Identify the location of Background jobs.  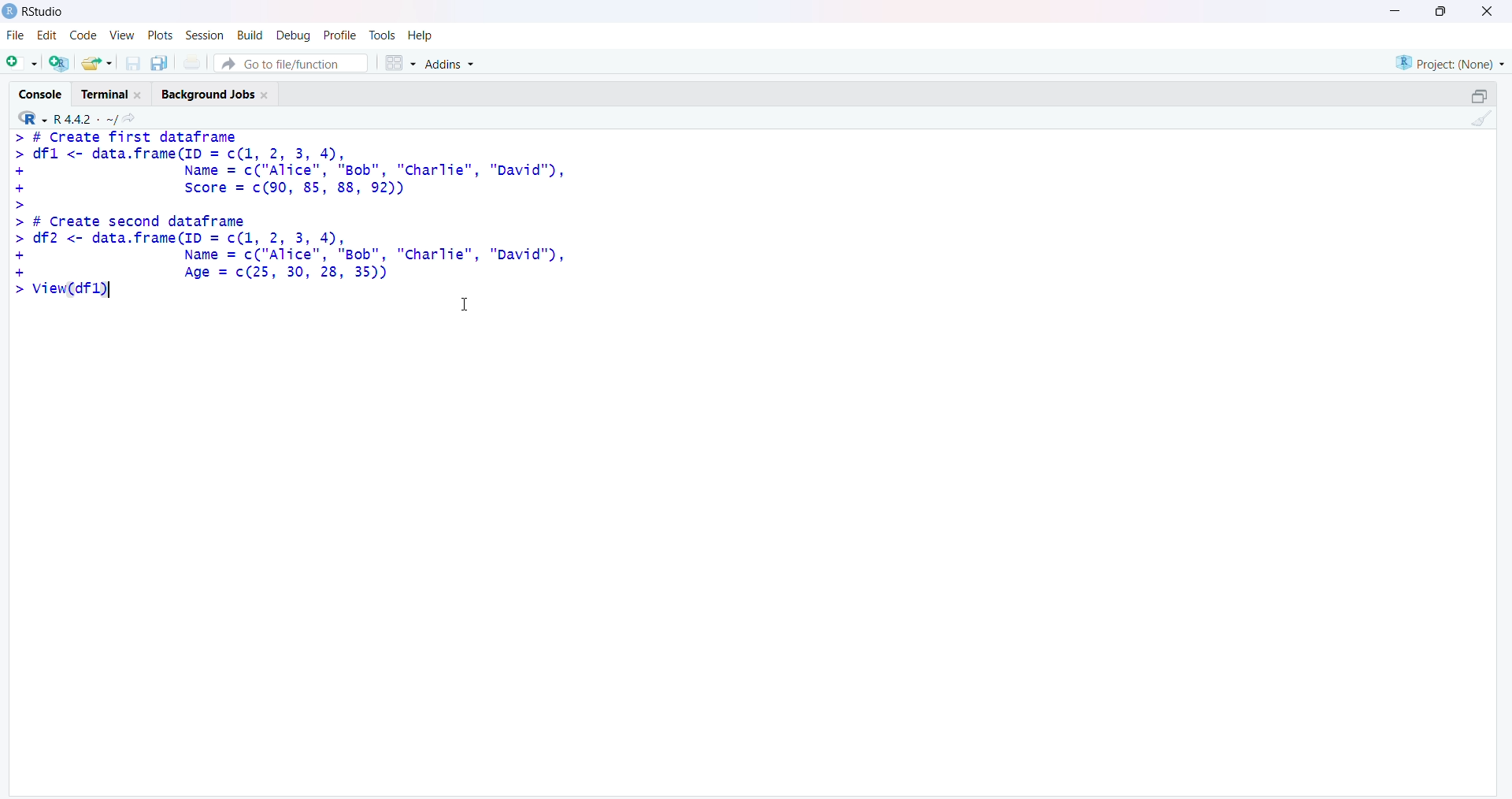
(208, 95).